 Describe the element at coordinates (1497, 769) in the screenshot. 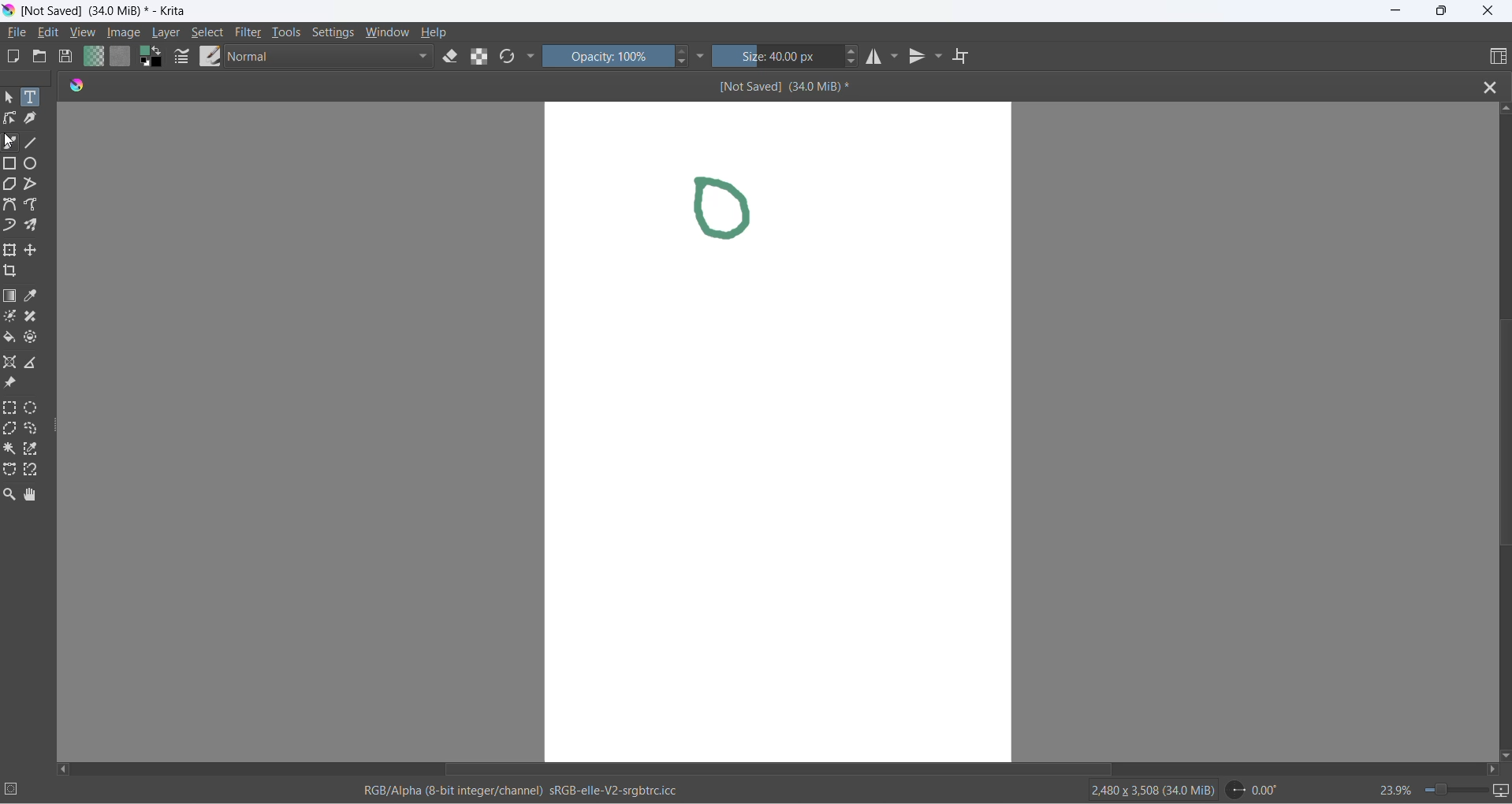

I see `scroll right button` at that location.